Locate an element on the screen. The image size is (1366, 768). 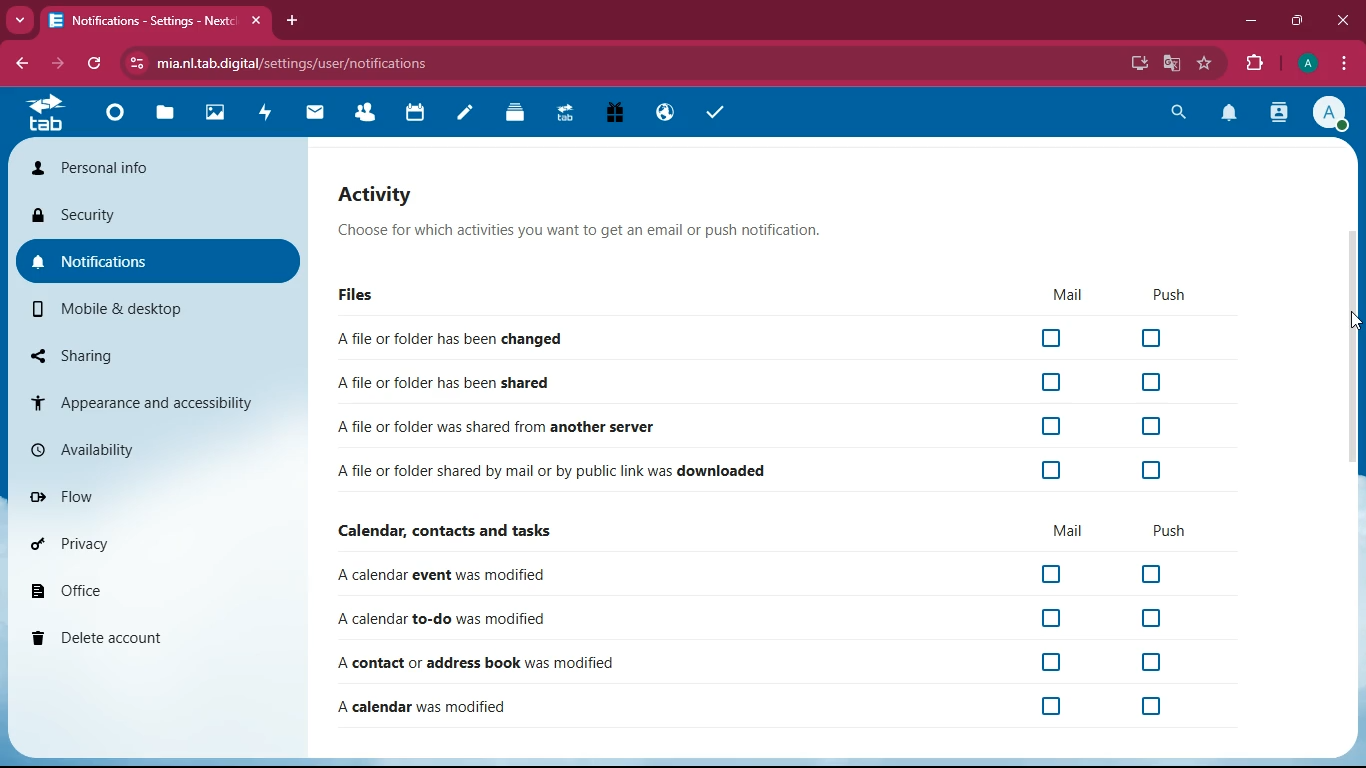
activity is located at coordinates (385, 195).